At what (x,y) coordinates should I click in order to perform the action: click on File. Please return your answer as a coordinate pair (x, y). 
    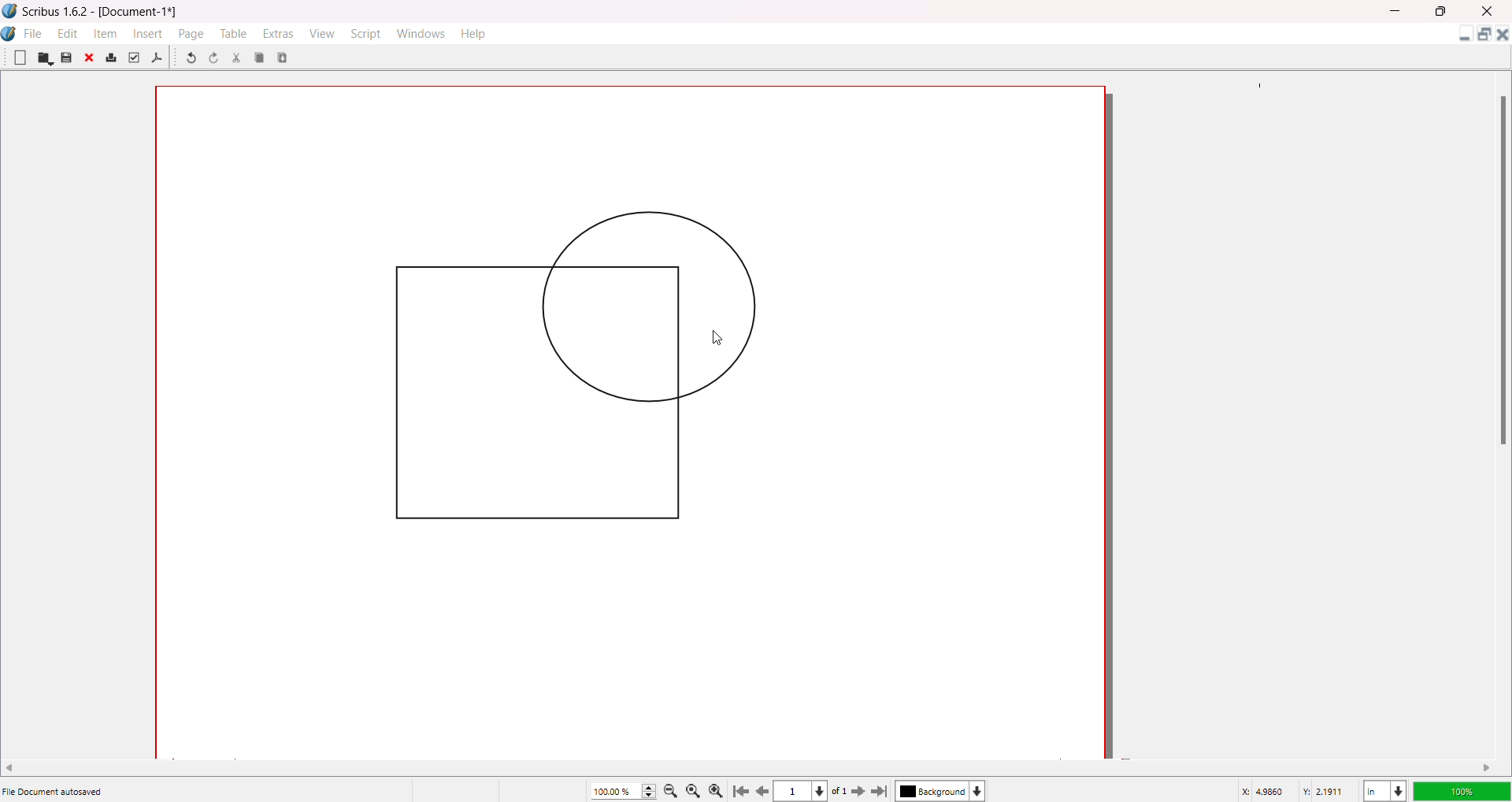
    Looking at the image, I should click on (34, 32).